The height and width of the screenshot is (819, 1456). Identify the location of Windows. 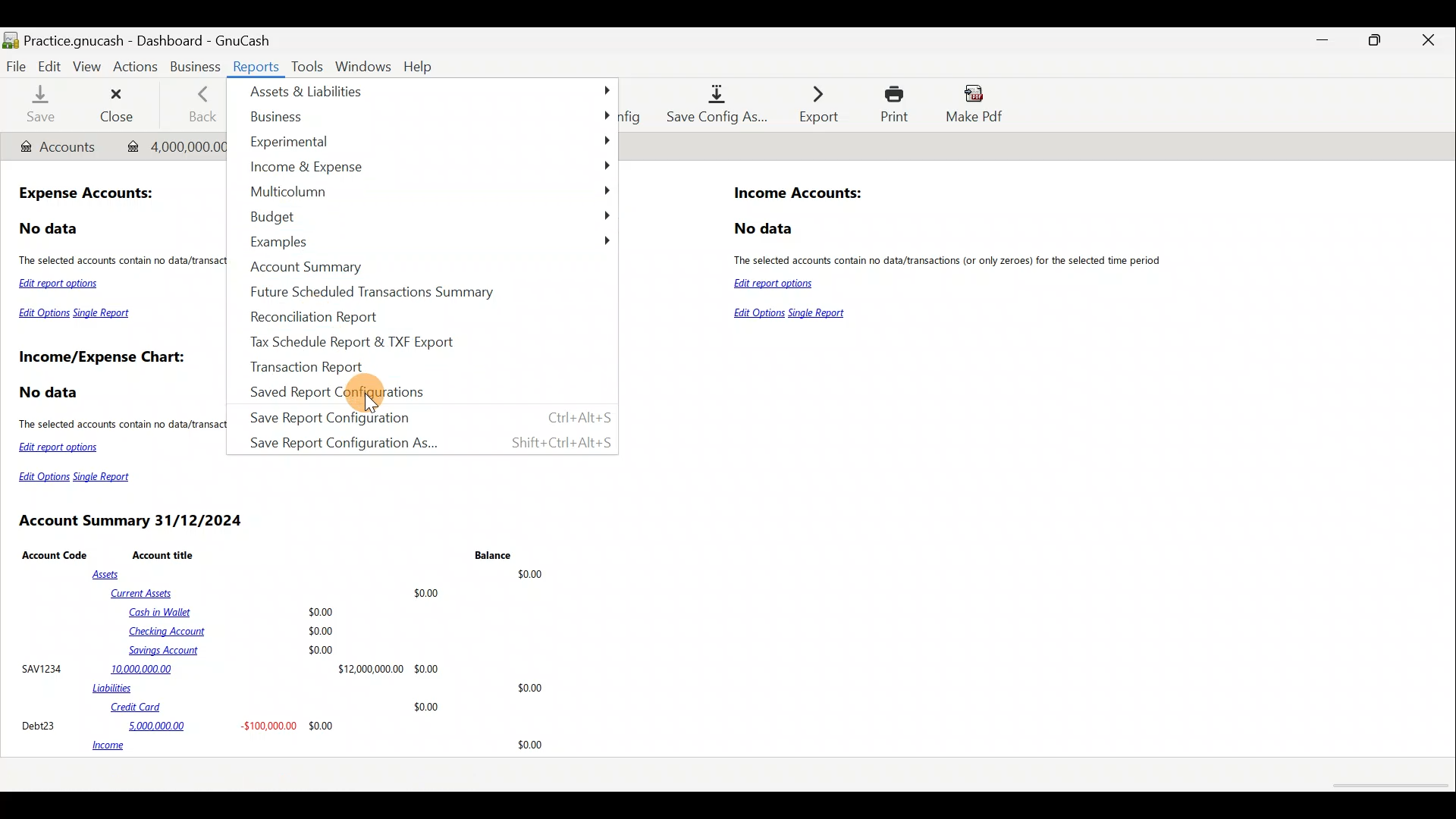
(363, 66).